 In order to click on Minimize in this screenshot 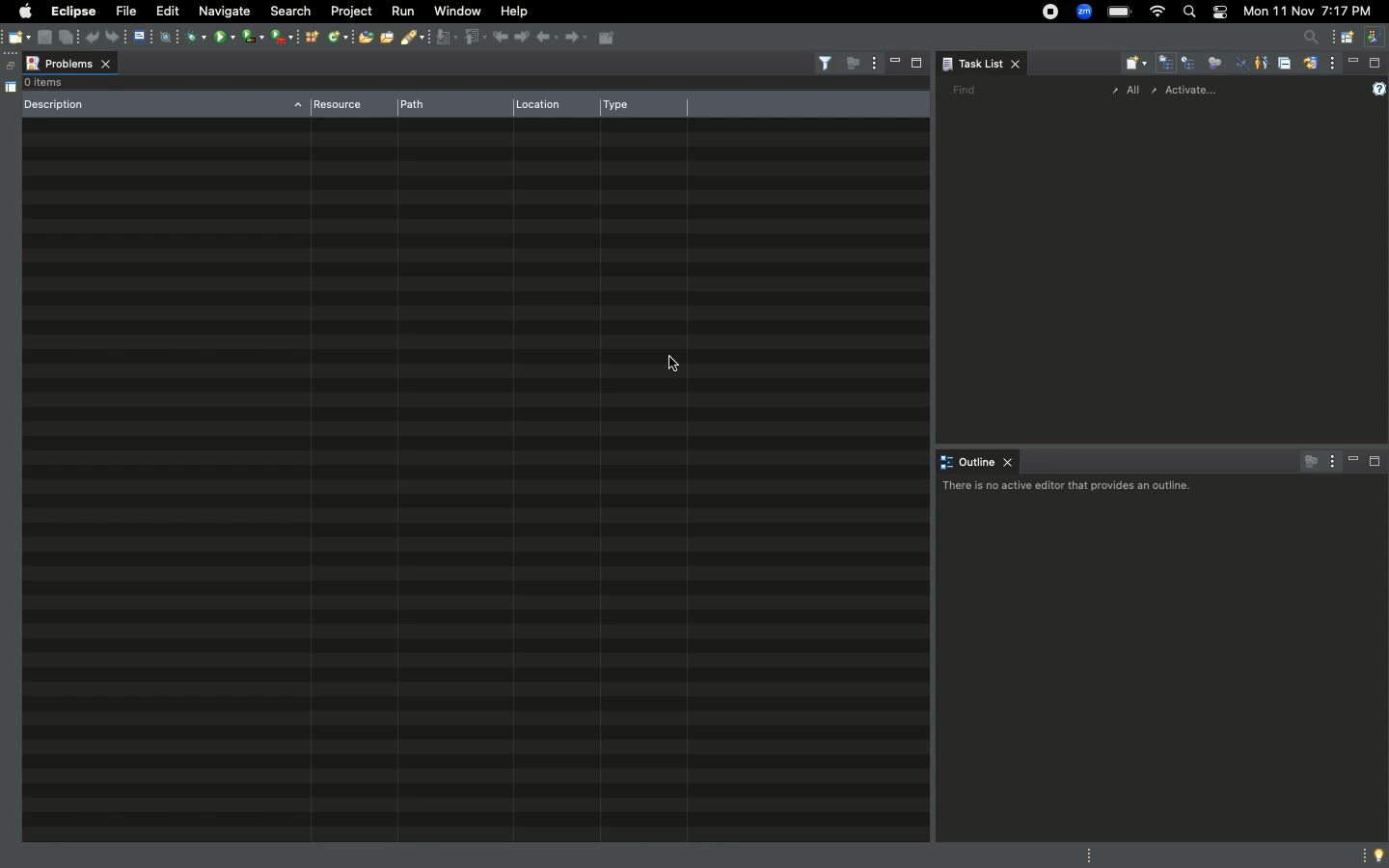, I will do `click(894, 62)`.